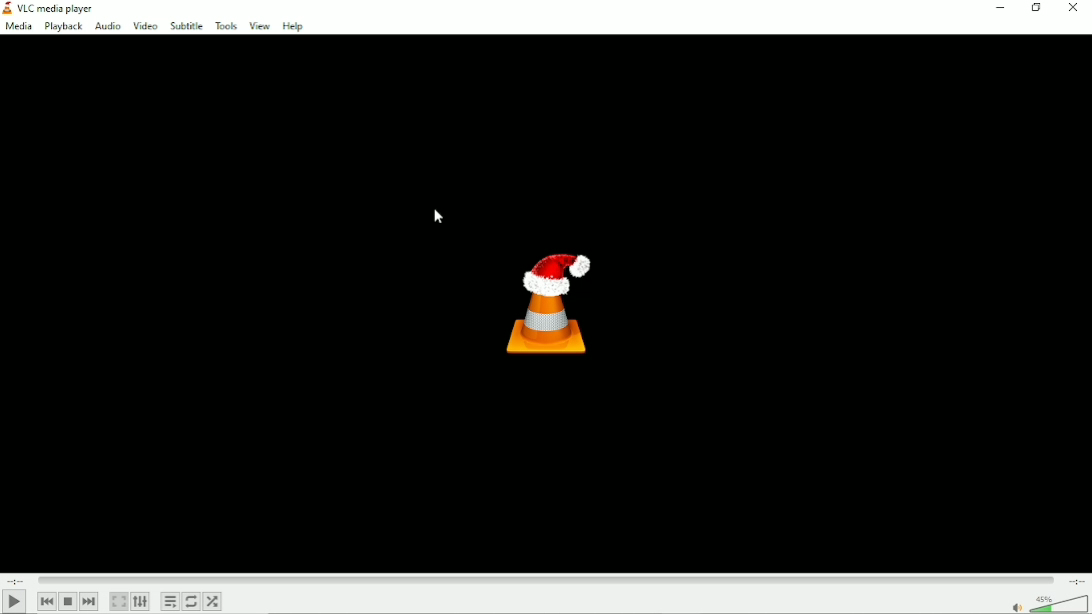  Describe the element at coordinates (1076, 582) in the screenshot. I see `Total duration` at that location.